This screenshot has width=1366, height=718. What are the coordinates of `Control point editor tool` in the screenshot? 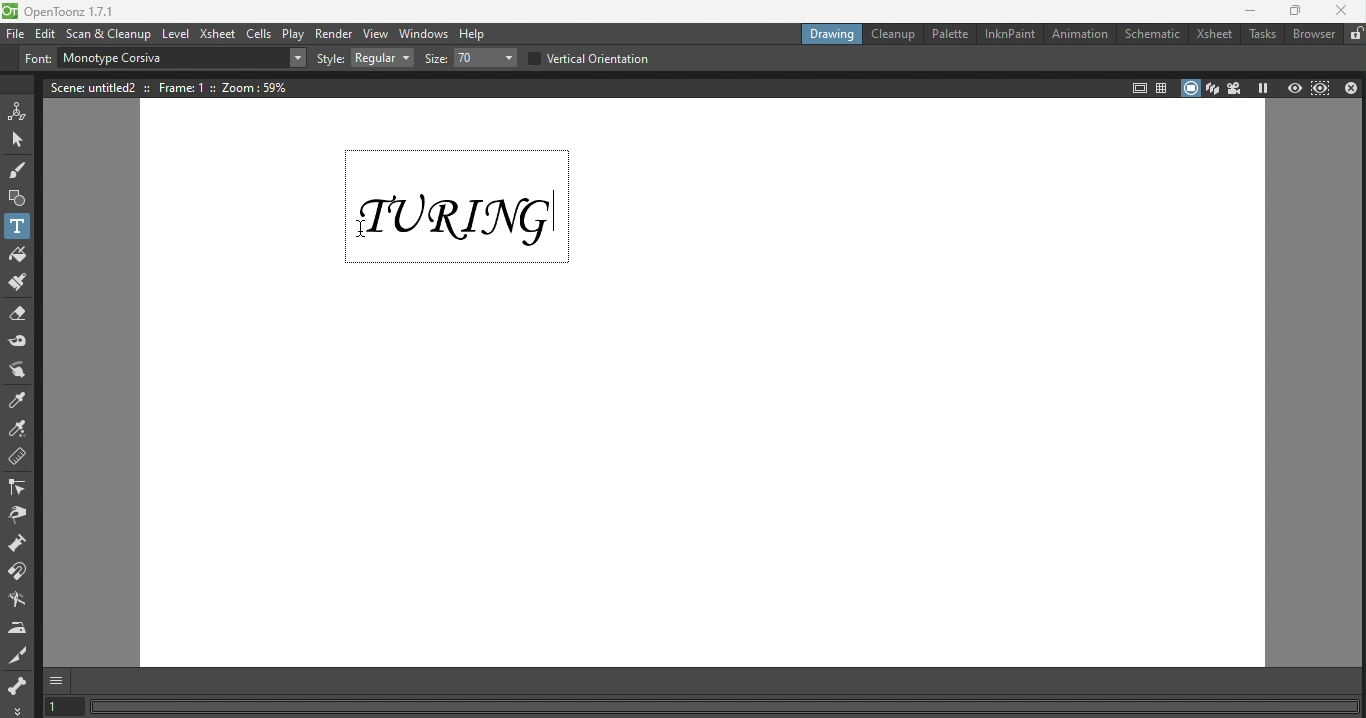 It's located at (20, 486).